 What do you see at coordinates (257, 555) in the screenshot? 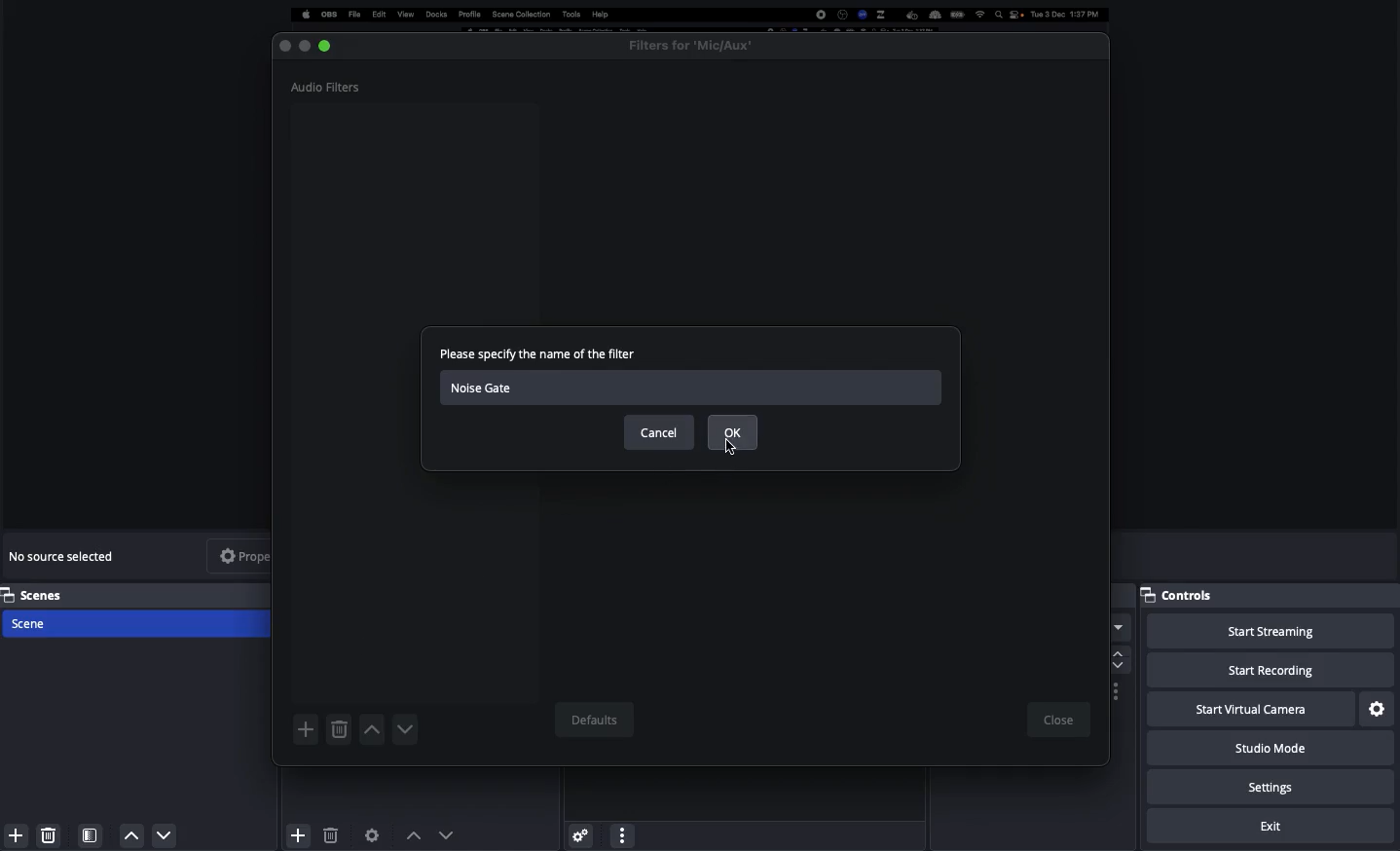
I see `Properties` at bounding box center [257, 555].